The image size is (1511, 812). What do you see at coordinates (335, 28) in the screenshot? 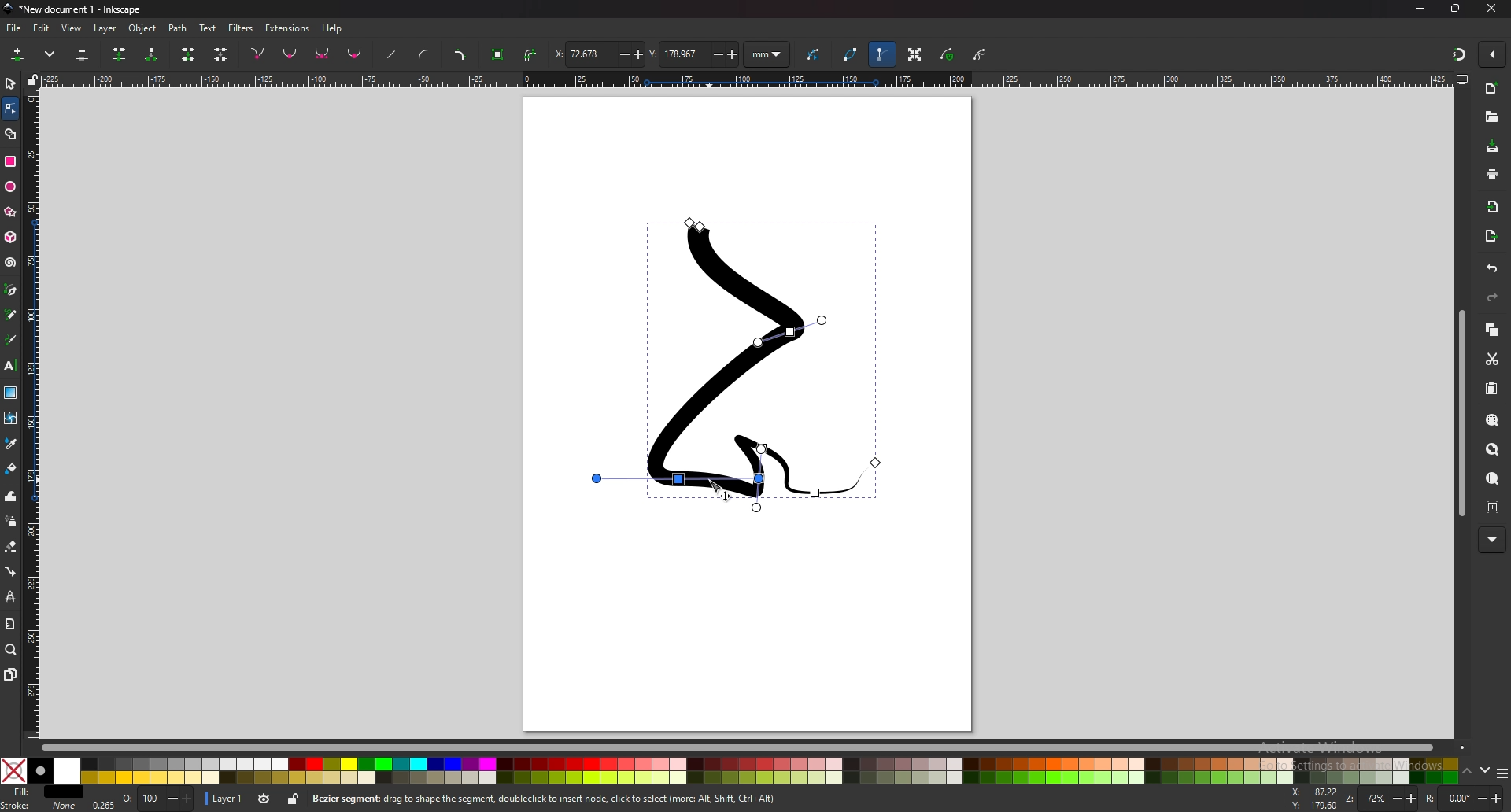
I see `help` at bounding box center [335, 28].